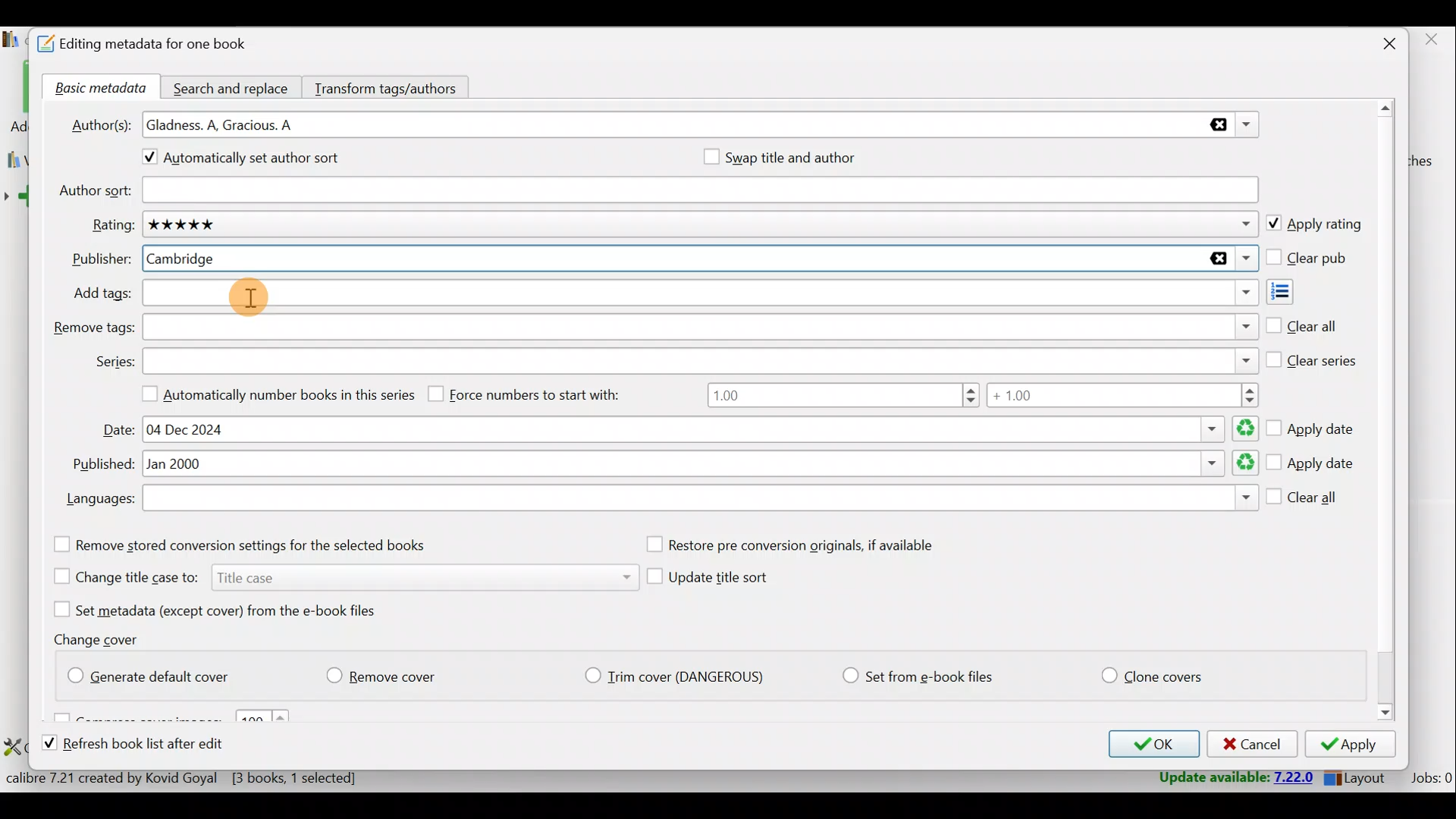  What do you see at coordinates (1150, 744) in the screenshot?
I see `OK` at bounding box center [1150, 744].